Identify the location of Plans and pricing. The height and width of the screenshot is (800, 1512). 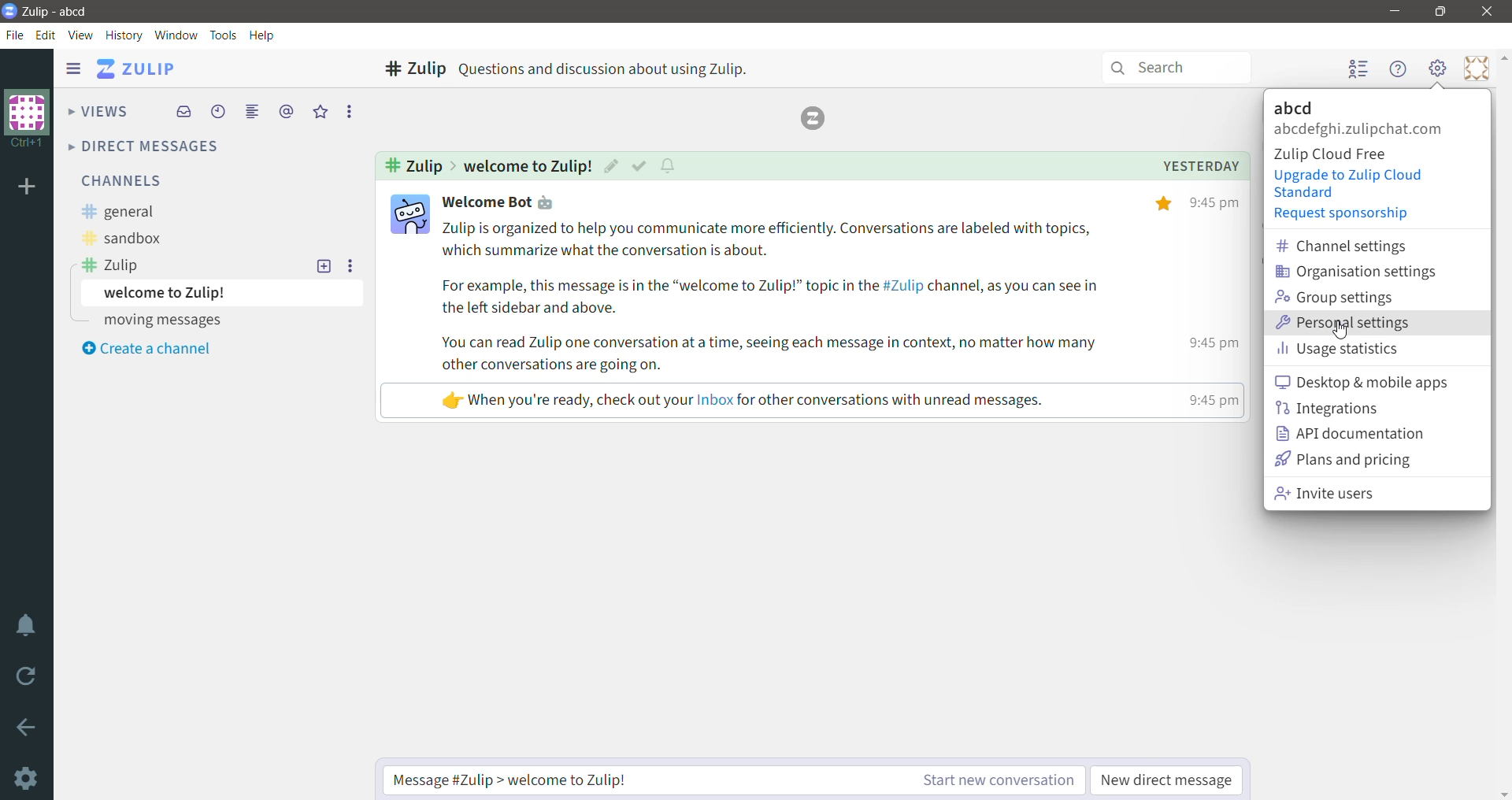
(1360, 461).